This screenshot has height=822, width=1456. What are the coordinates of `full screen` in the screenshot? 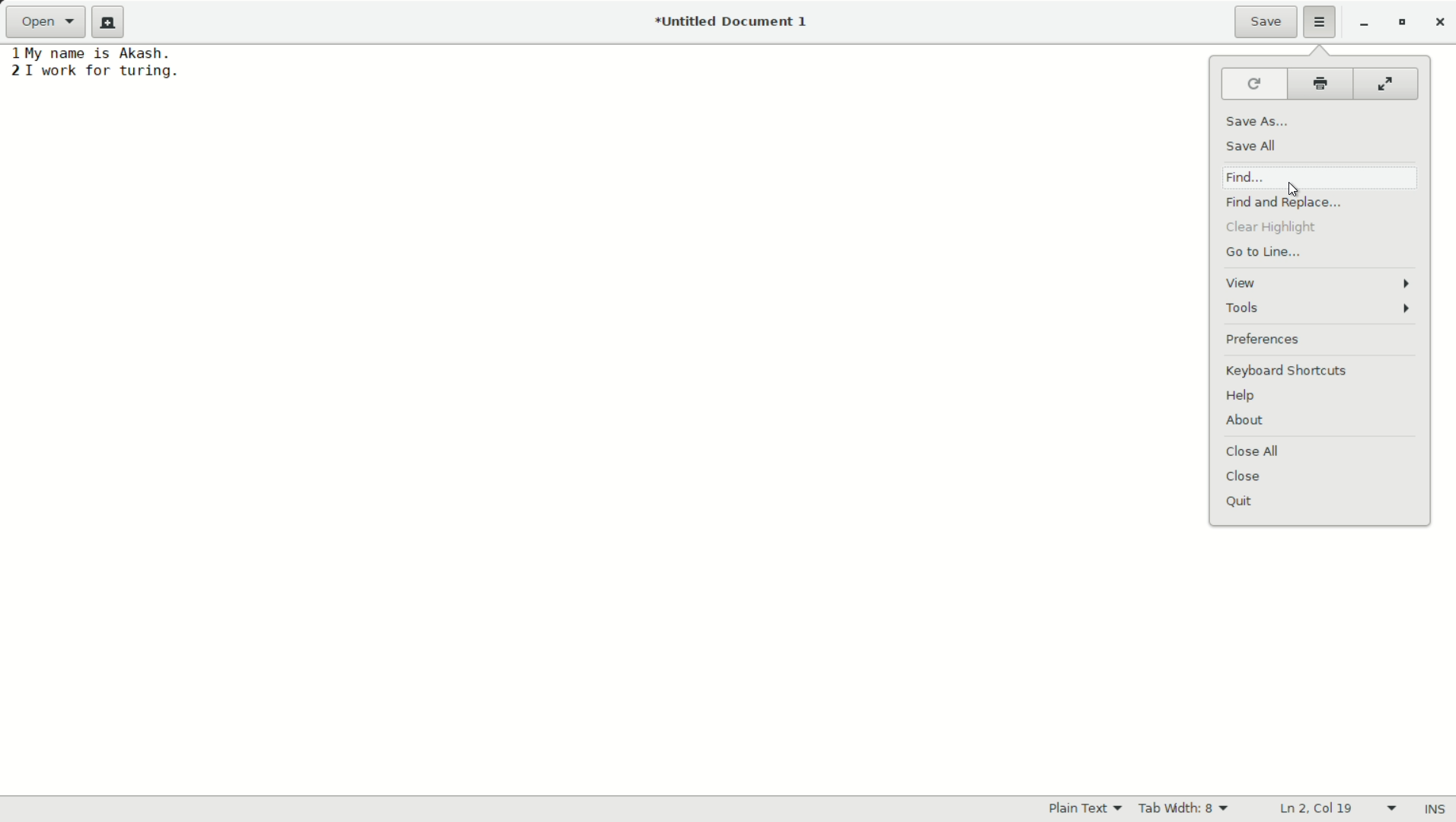 It's located at (1384, 85).